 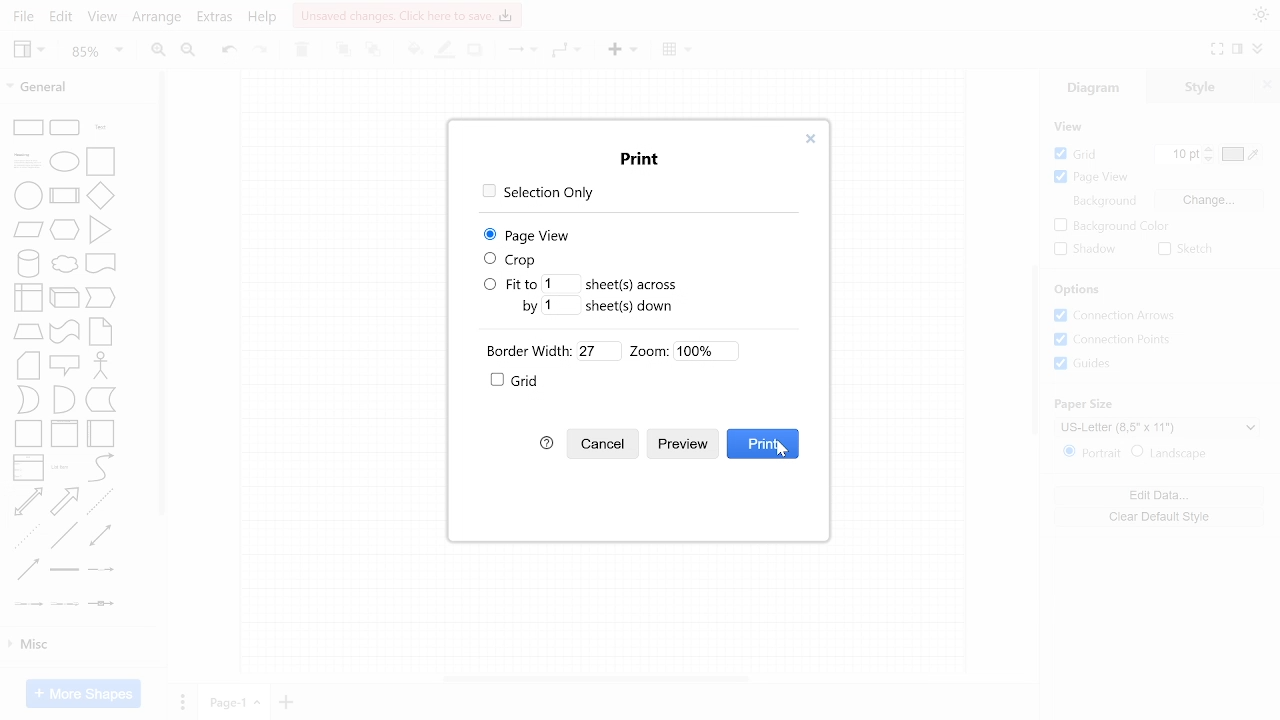 What do you see at coordinates (1238, 48) in the screenshot?
I see `Format` at bounding box center [1238, 48].